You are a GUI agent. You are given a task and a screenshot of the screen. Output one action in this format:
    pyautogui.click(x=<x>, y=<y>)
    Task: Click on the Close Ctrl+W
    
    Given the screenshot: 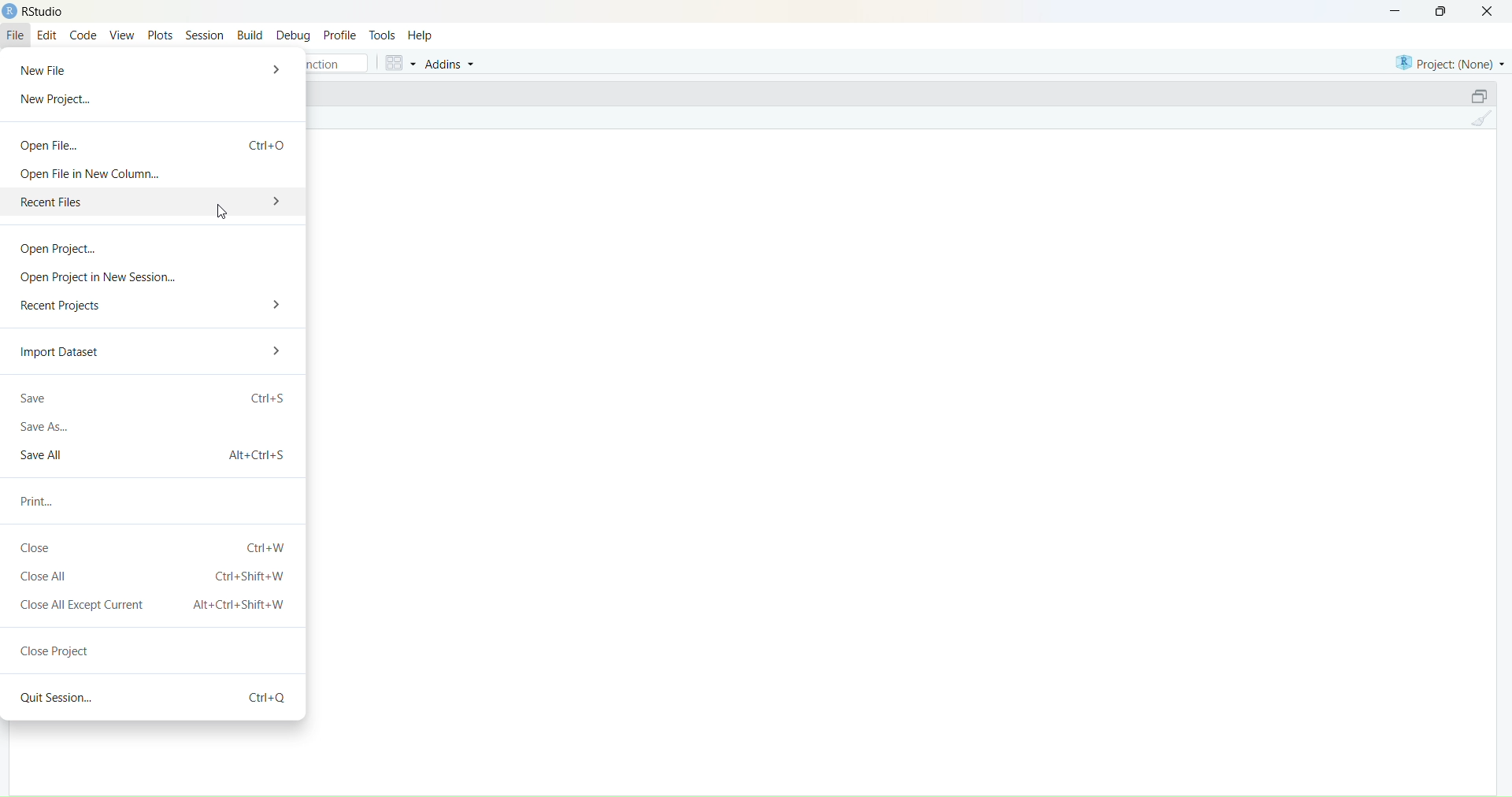 What is the action you would take?
    pyautogui.click(x=155, y=549)
    